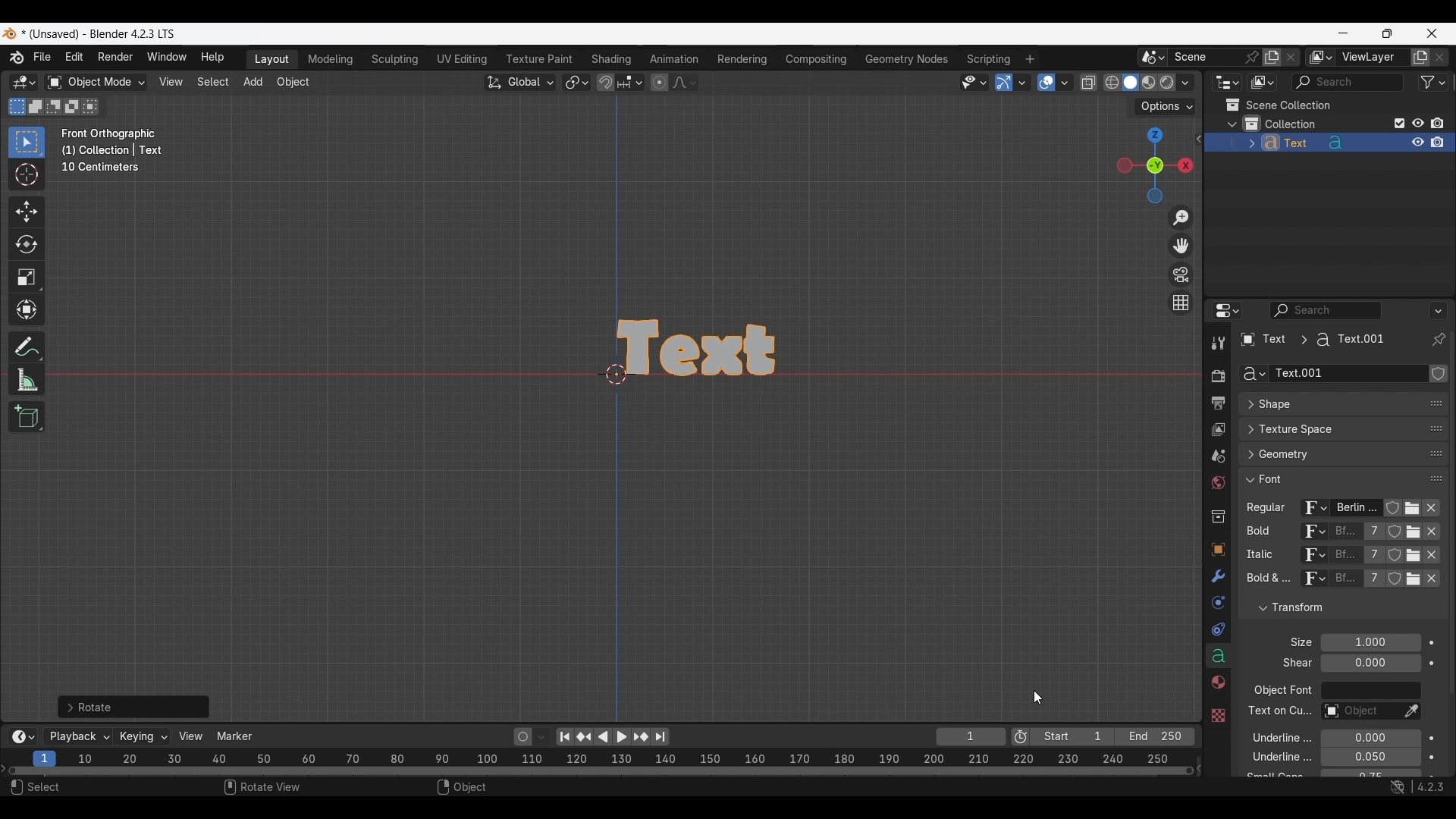 This screenshot has height=819, width=1456. I want to click on change position, so click(1437, 427).